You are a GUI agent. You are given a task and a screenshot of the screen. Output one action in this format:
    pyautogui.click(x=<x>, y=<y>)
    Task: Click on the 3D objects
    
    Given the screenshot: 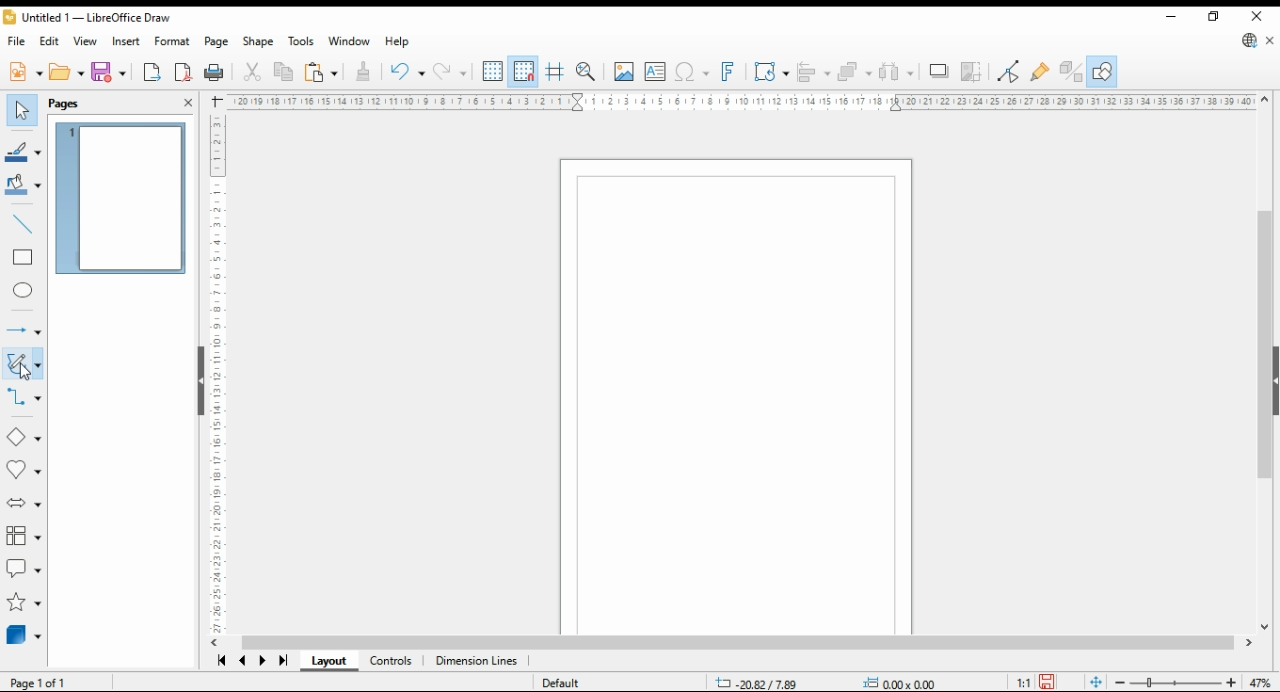 What is the action you would take?
    pyautogui.click(x=23, y=637)
    